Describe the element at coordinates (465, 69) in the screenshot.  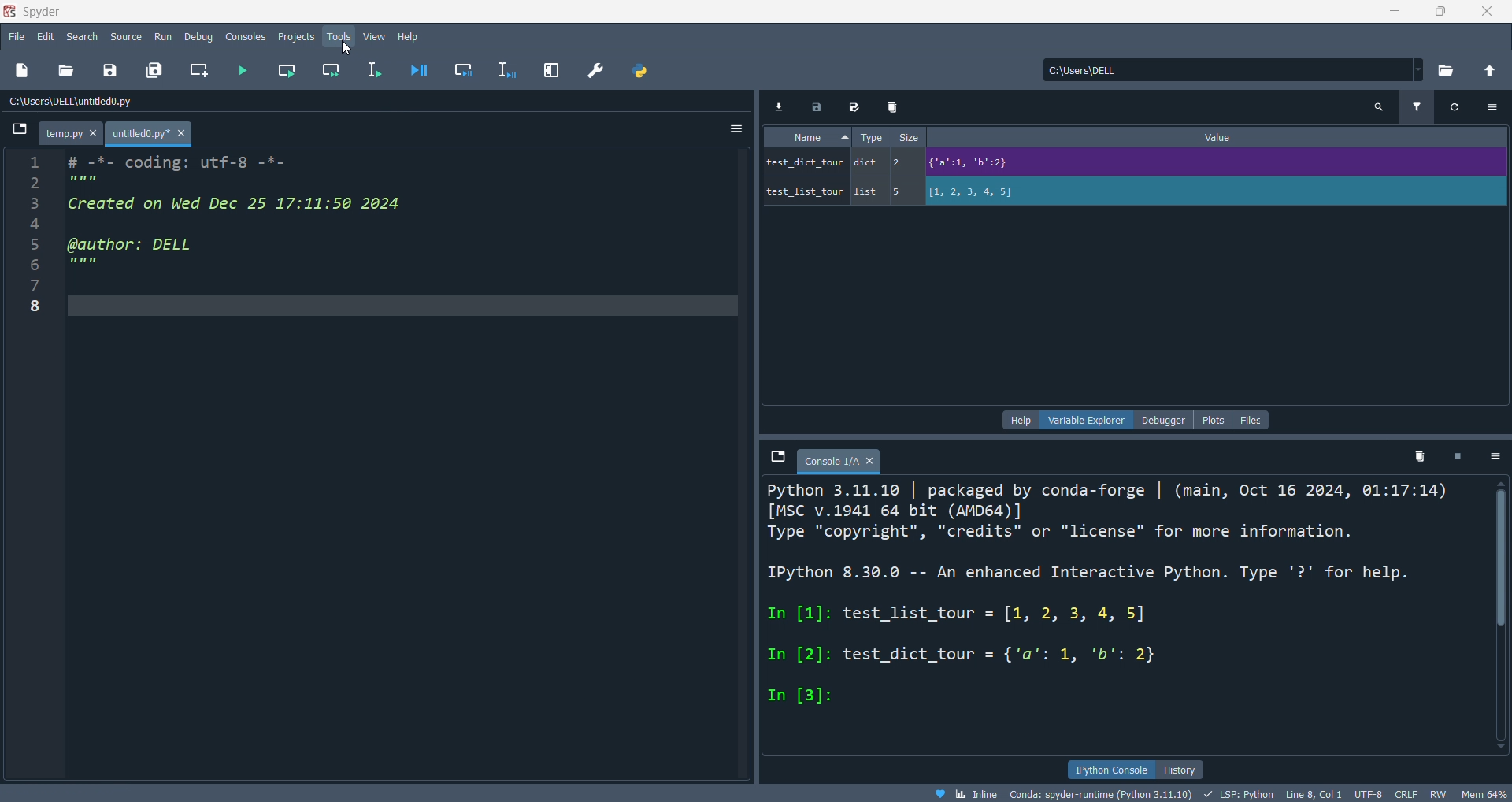
I see `debug cell` at that location.